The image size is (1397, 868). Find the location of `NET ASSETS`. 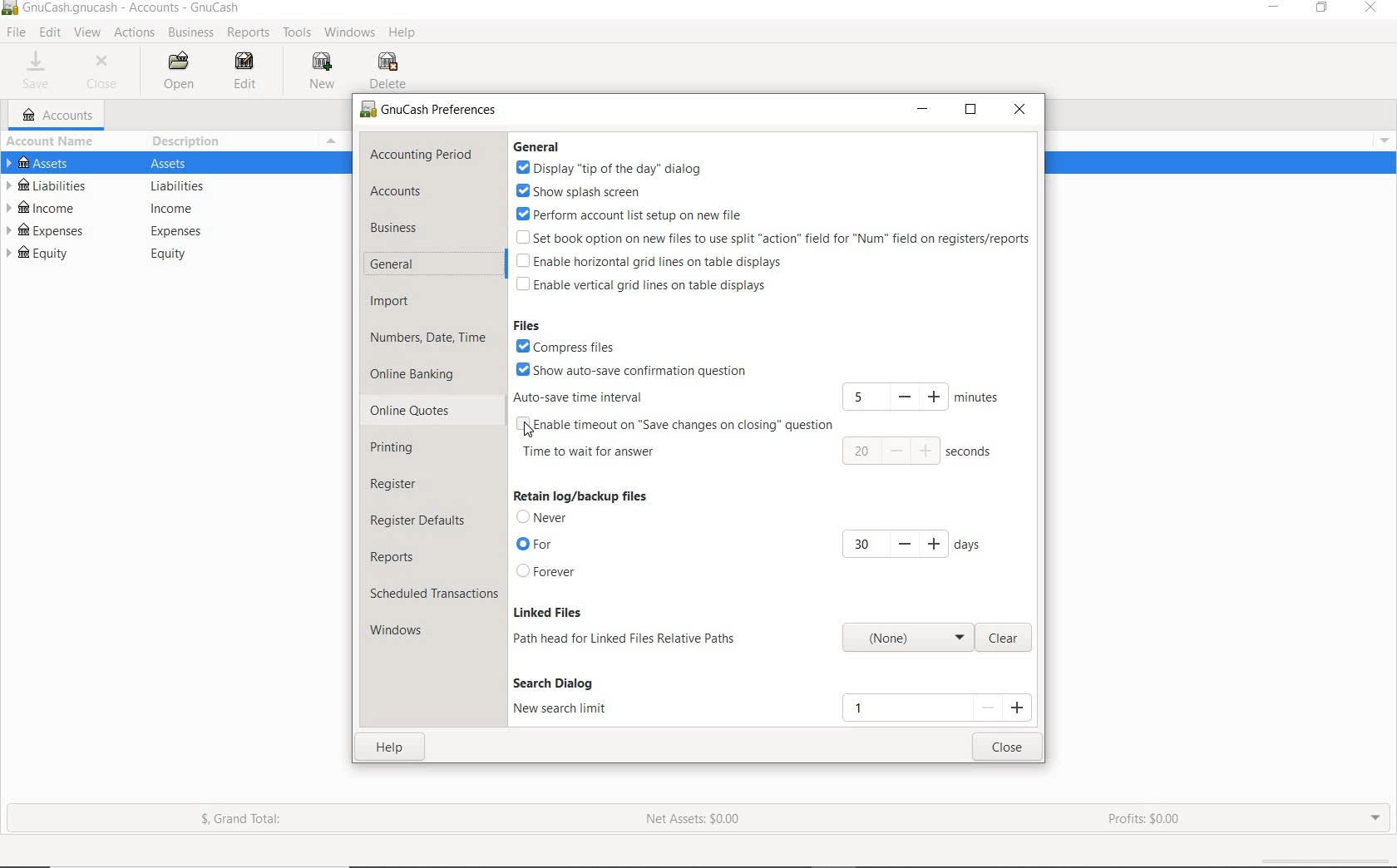

NET ASSETS is located at coordinates (694, 819).